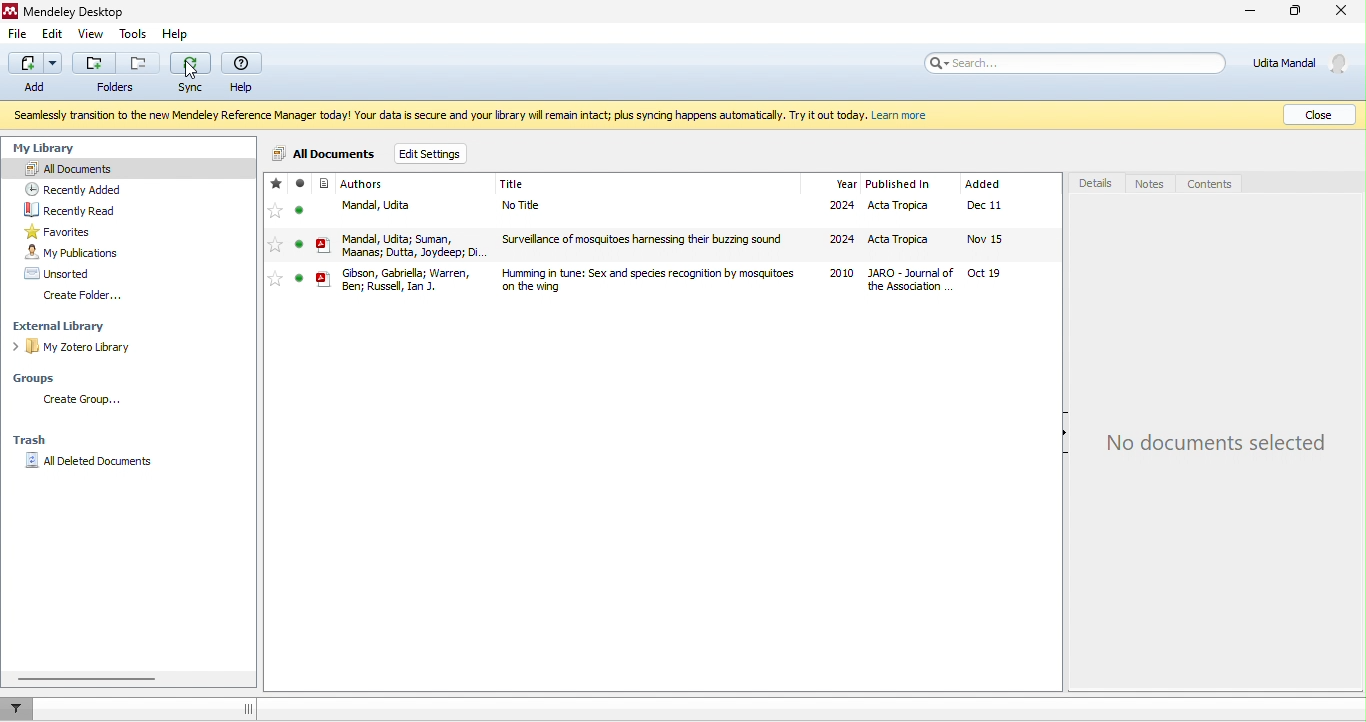 The height and width of the screenshot is (722, 1366). What do you see at coordinates (432, 152) in the screenshot?
I see `edit settings` at bounding box center [432, 152].